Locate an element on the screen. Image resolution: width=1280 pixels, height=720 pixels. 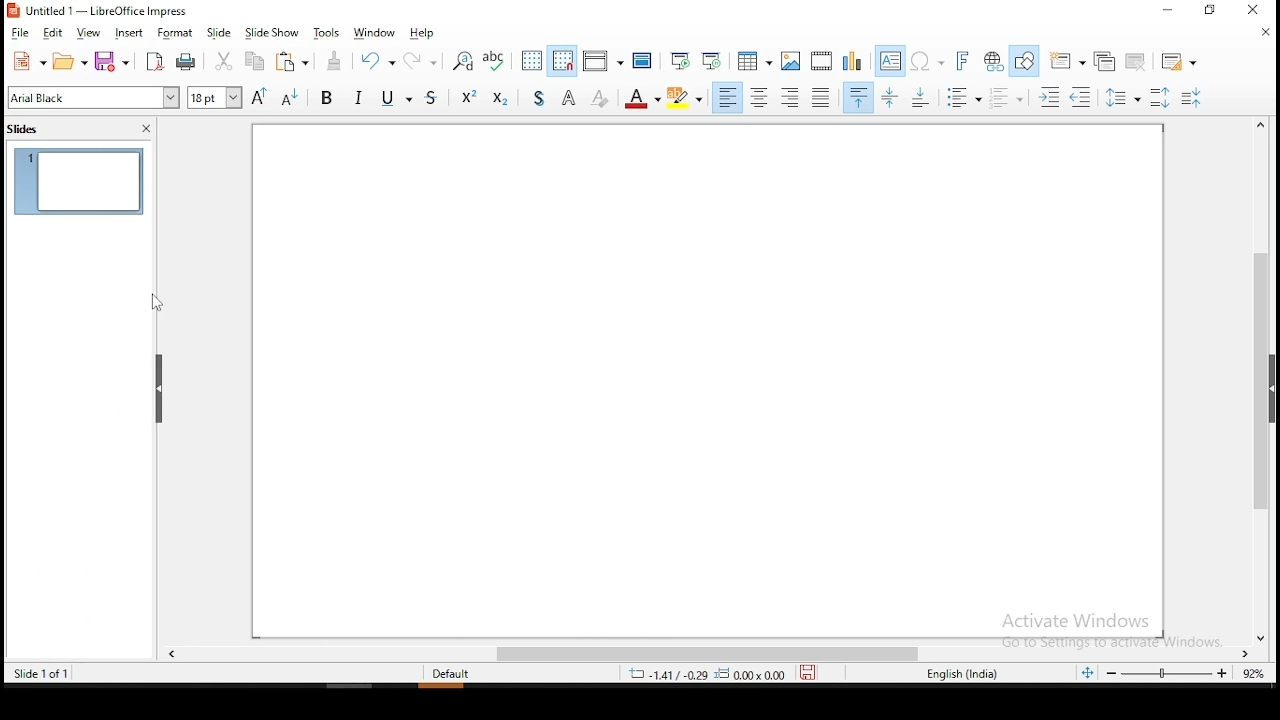
subscript is located at coordinates (501, 99).